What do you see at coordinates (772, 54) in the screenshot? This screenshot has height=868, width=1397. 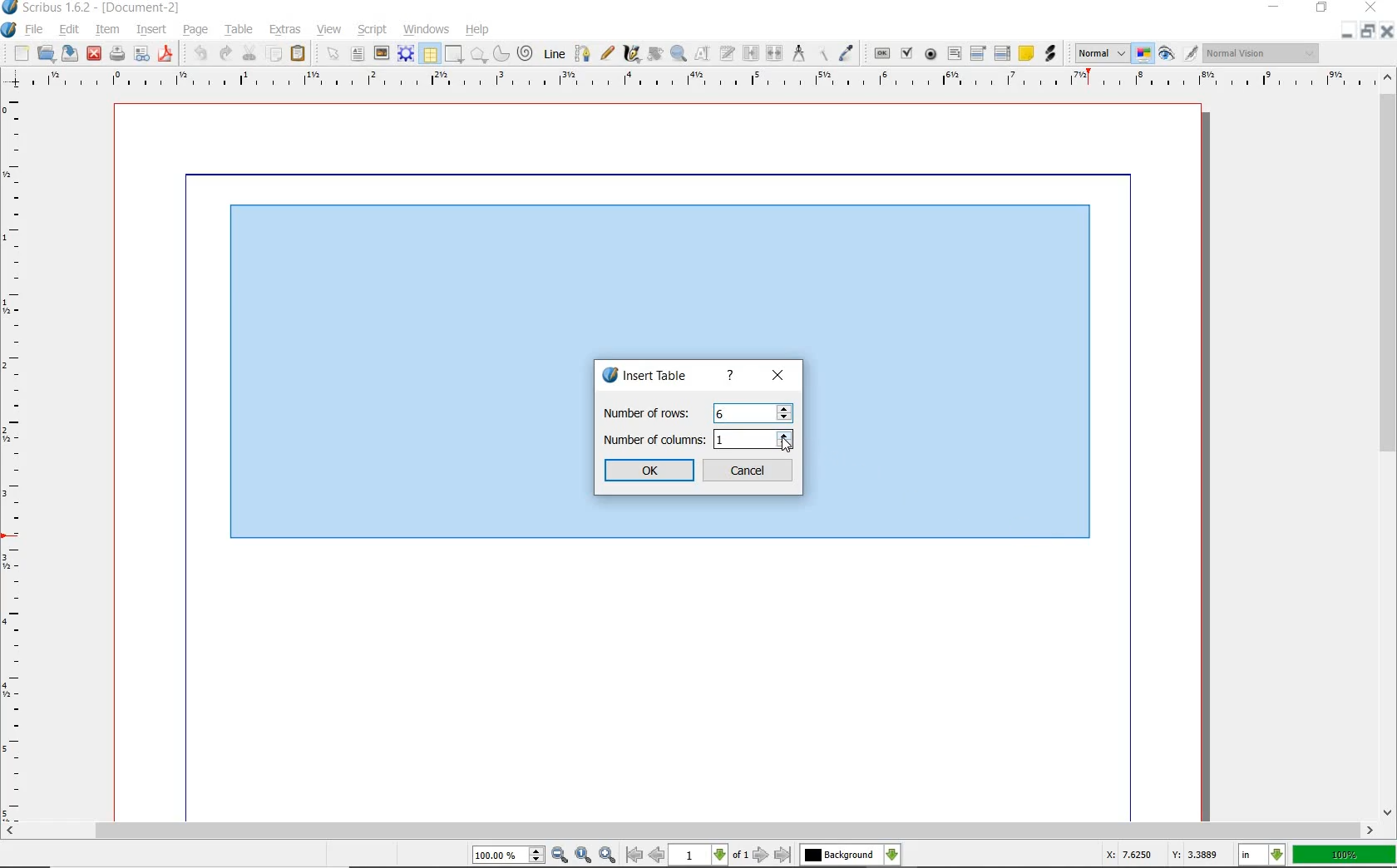 I see `unlink text frame` at bounding box center [772, 54].